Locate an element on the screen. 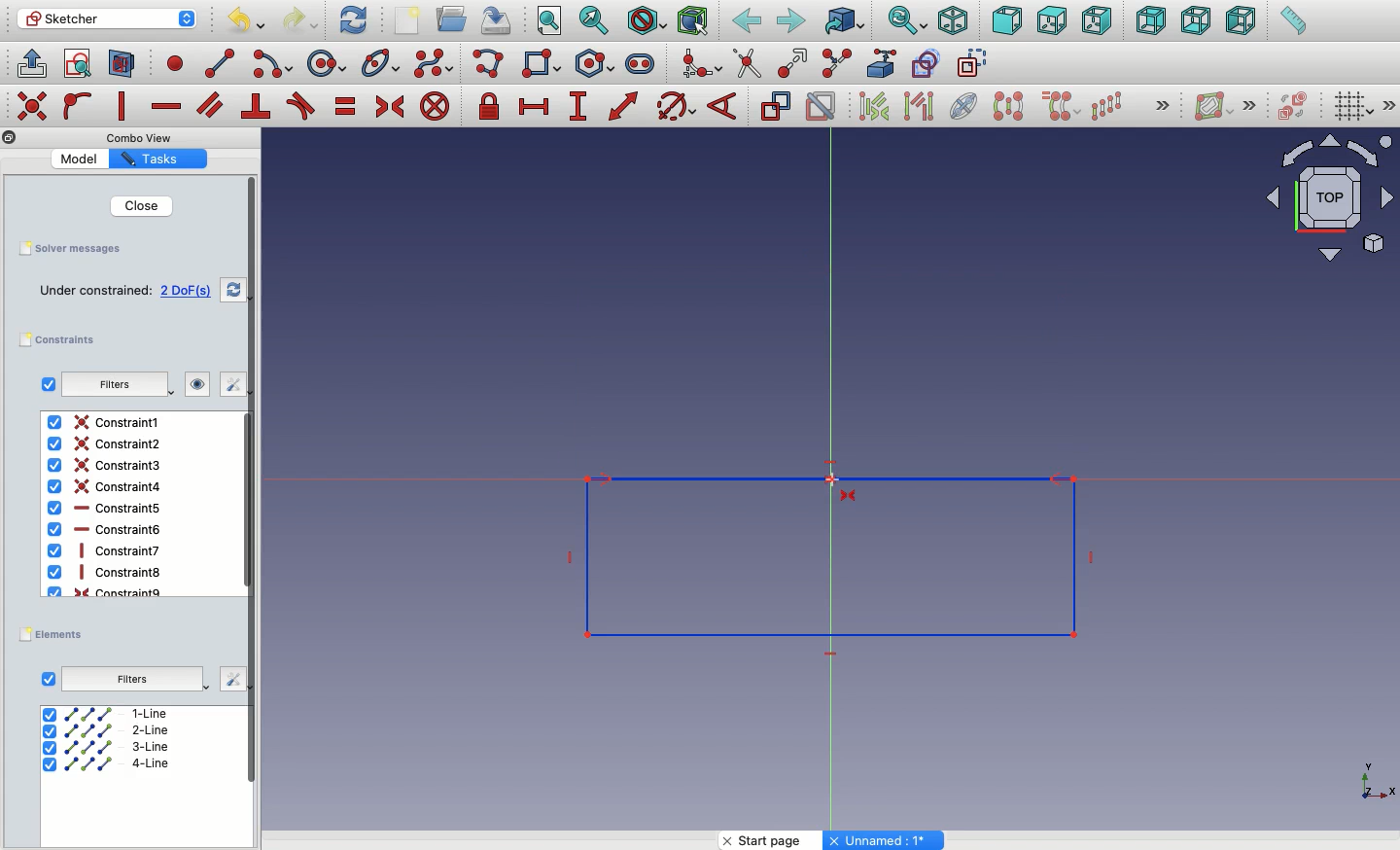 The height and width of the screenshot is (850, 1400). Fit all is located at coordinates (547, 22).